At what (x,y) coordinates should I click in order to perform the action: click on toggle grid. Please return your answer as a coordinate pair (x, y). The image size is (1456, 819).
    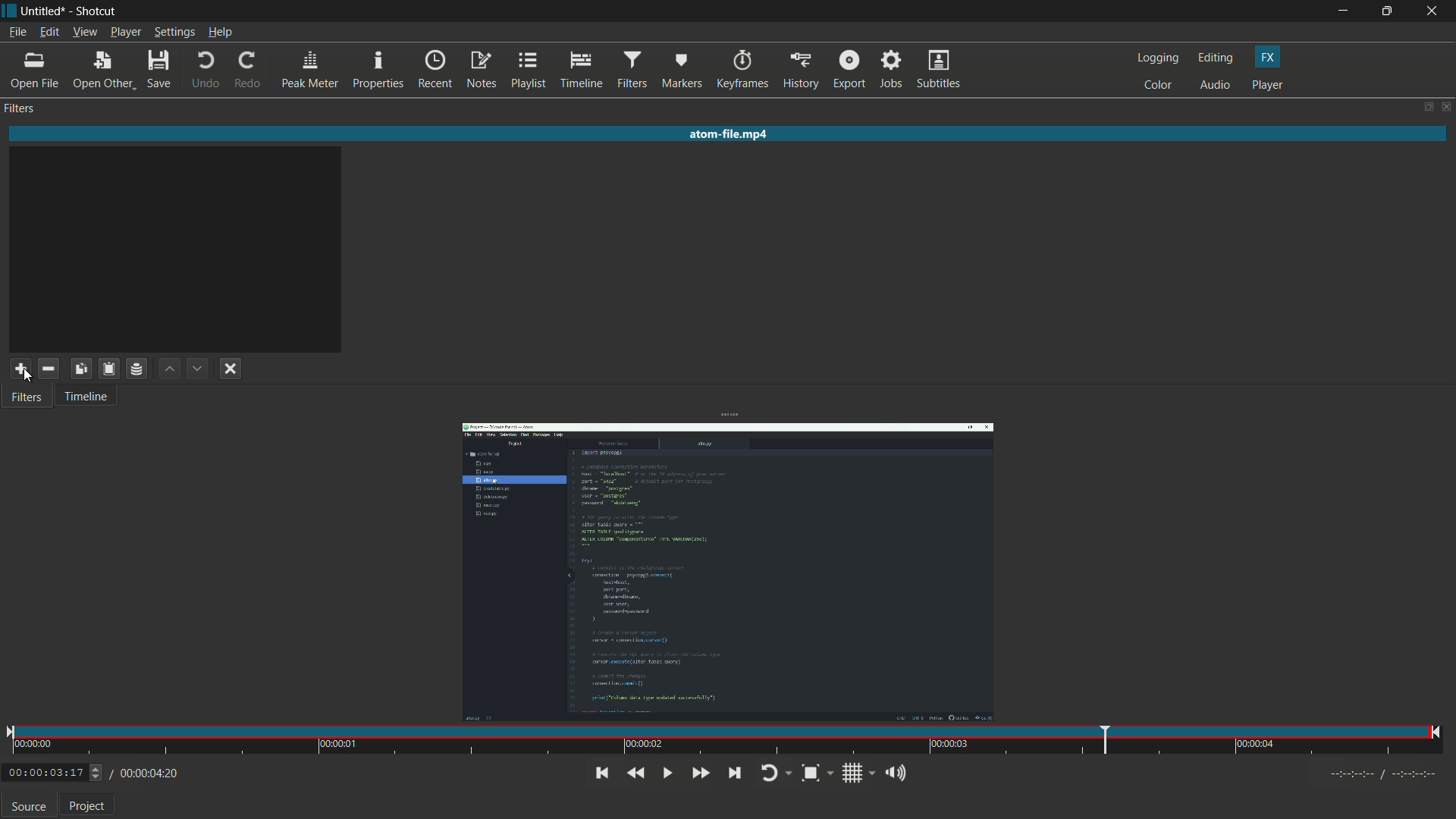
    Looking at the image, I should click on (859, 774).